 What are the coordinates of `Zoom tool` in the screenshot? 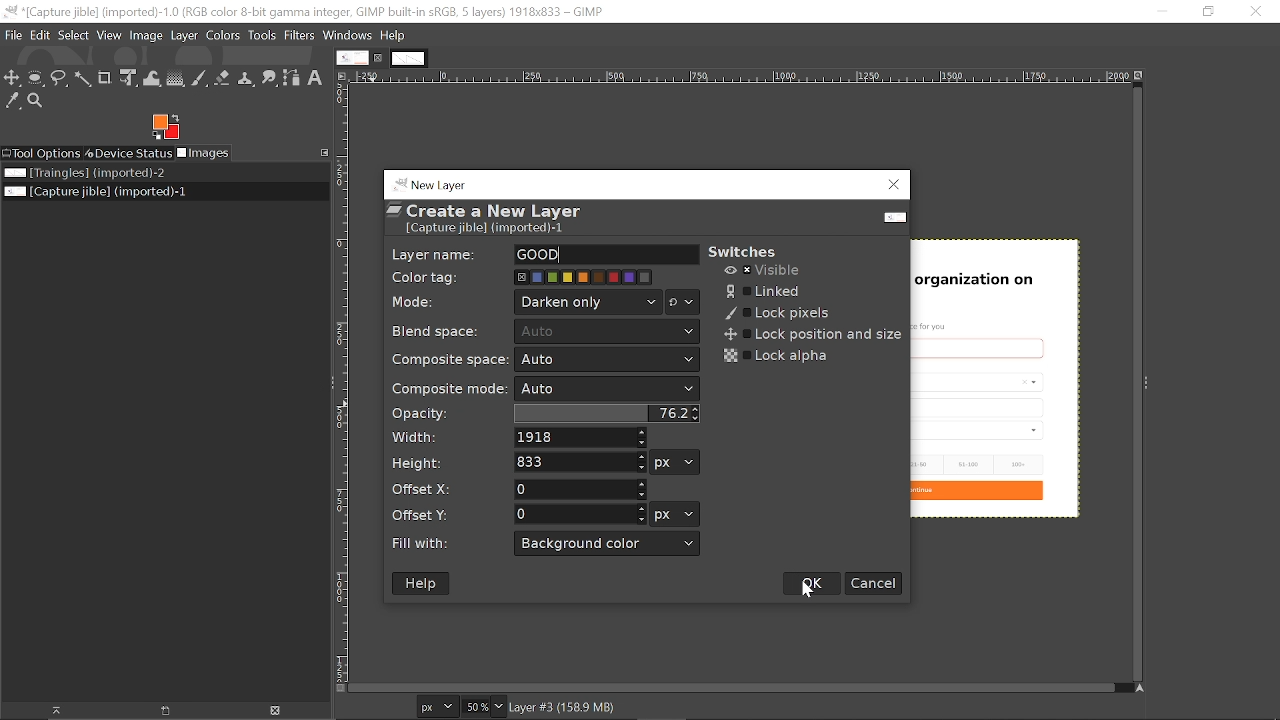 It's located at (39, 102).